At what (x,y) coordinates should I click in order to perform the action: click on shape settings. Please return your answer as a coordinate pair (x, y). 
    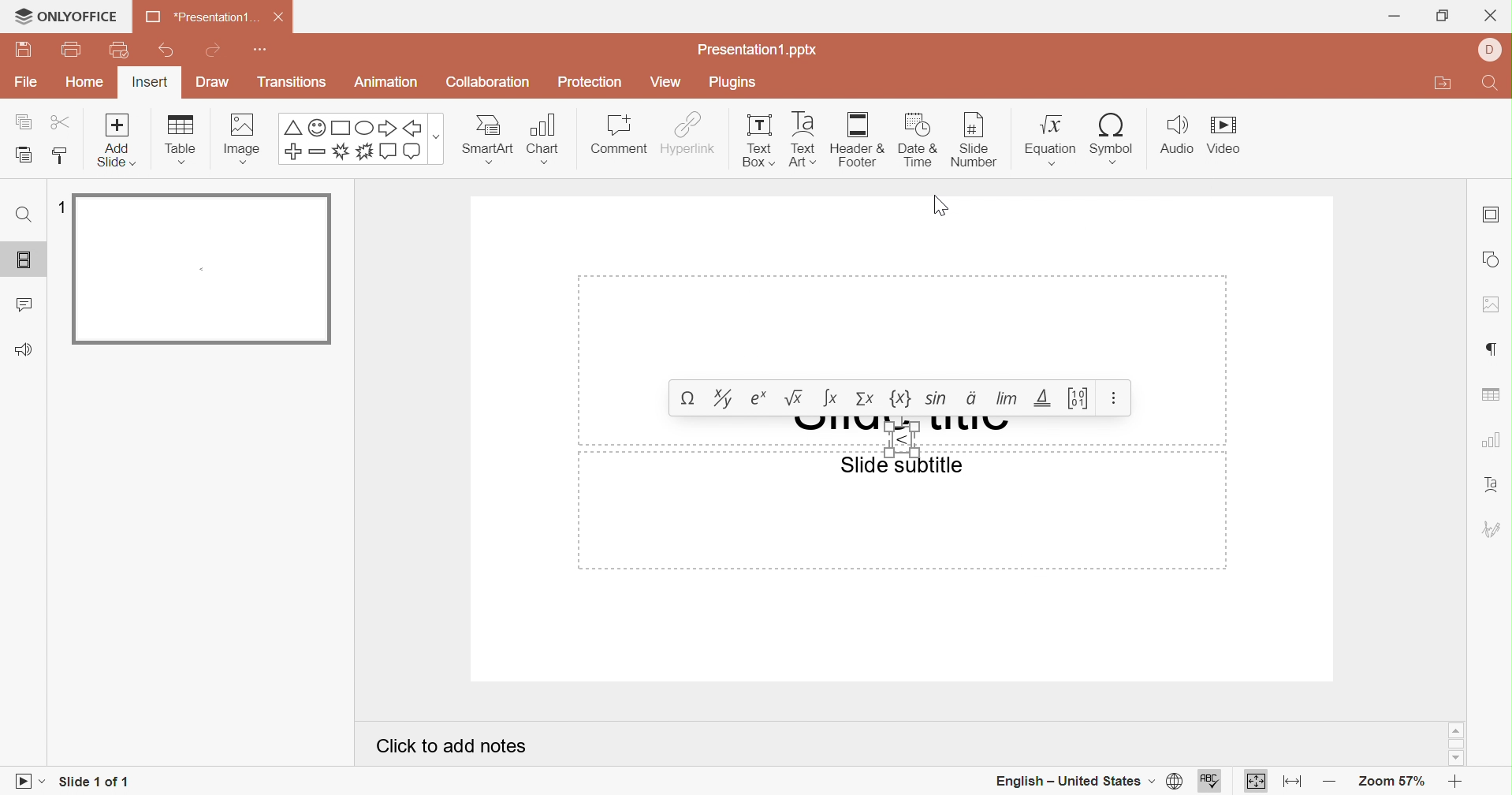
    Looking at the image, I should click on (1492, 259).